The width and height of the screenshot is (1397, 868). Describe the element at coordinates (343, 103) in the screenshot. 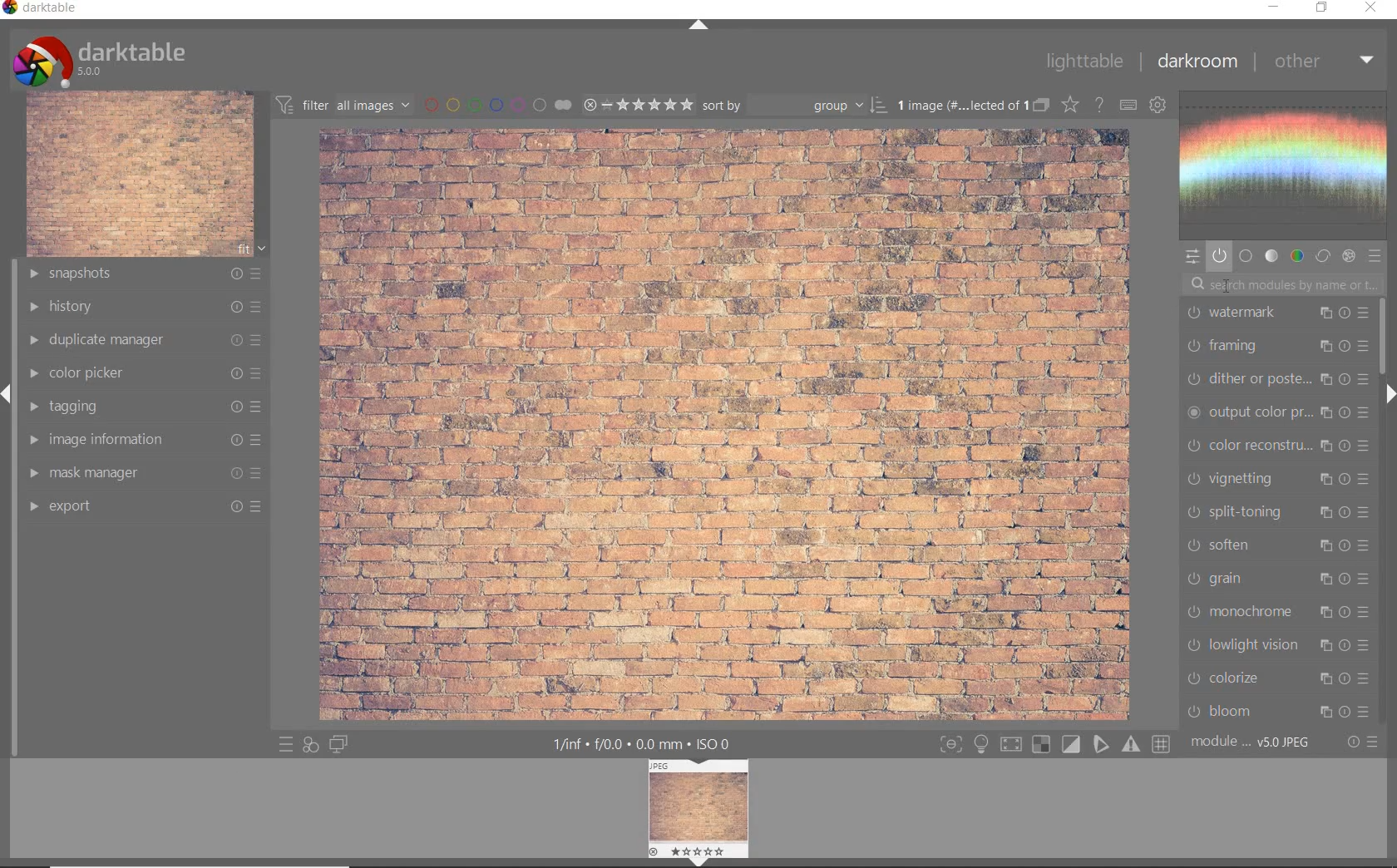

I see `filter all images` at that location.